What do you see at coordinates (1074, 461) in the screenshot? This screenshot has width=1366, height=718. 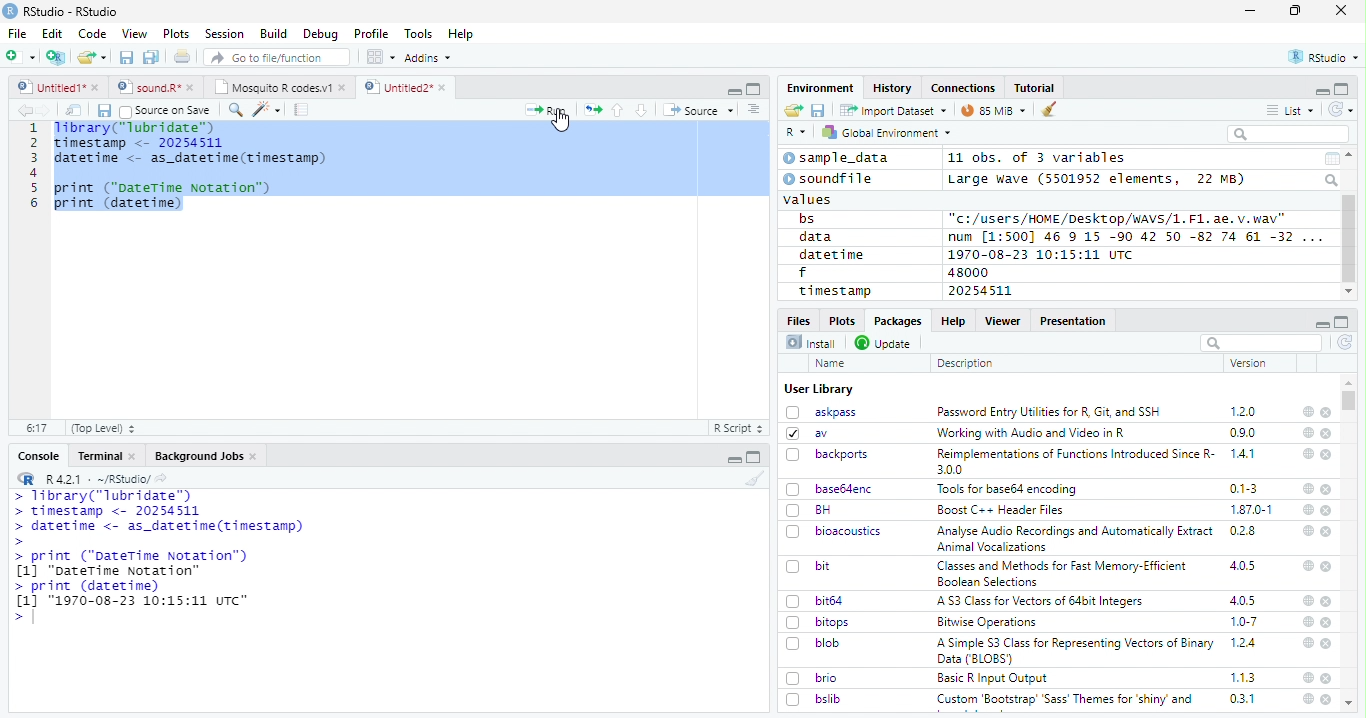 I see `Reimplementations of Functions Introduced Since R-
300` at bounding box center [1074, 461].